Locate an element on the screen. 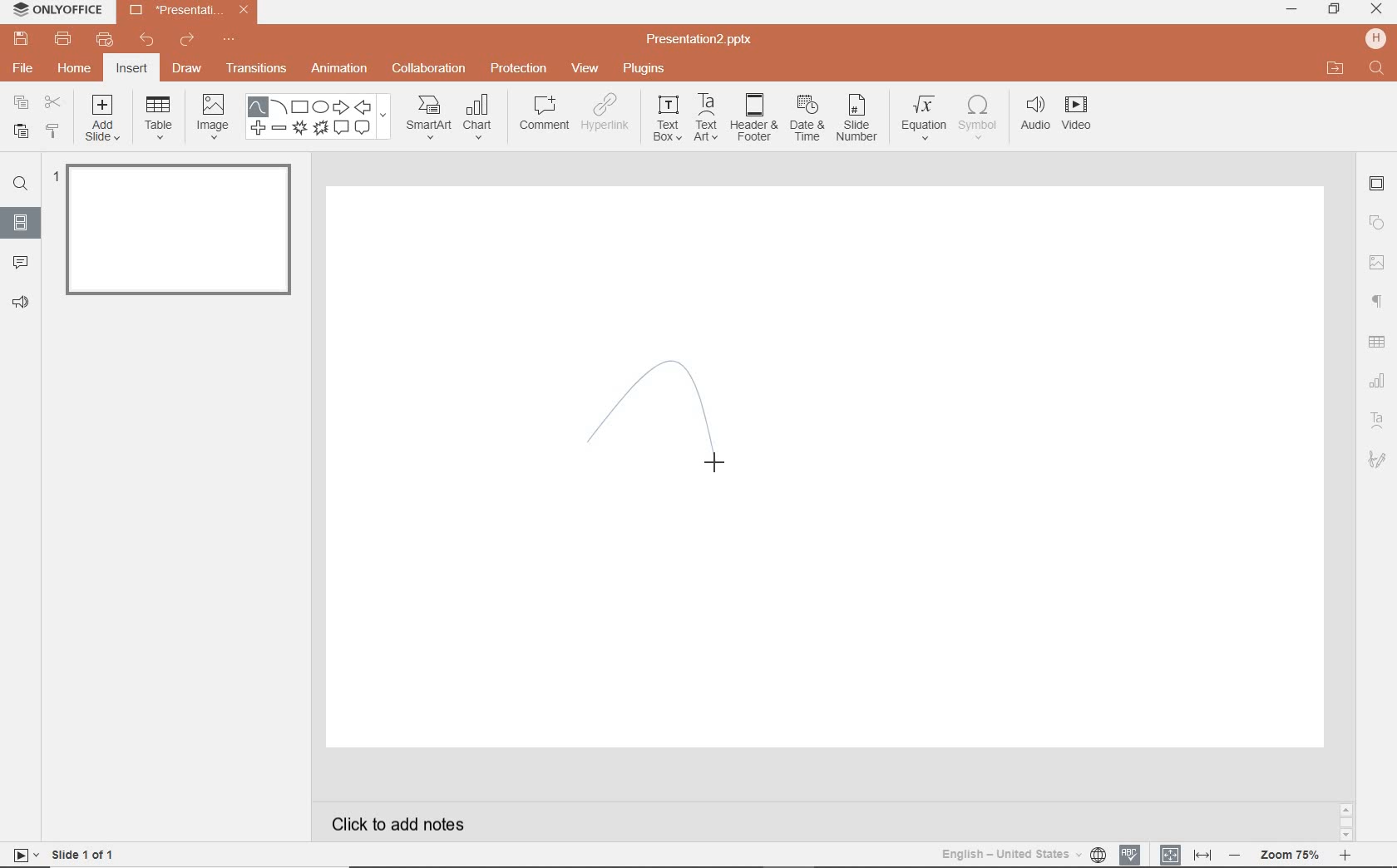 This screenshot has width=1397, height=868. VIDEO is located at coordinates (1085, 116).